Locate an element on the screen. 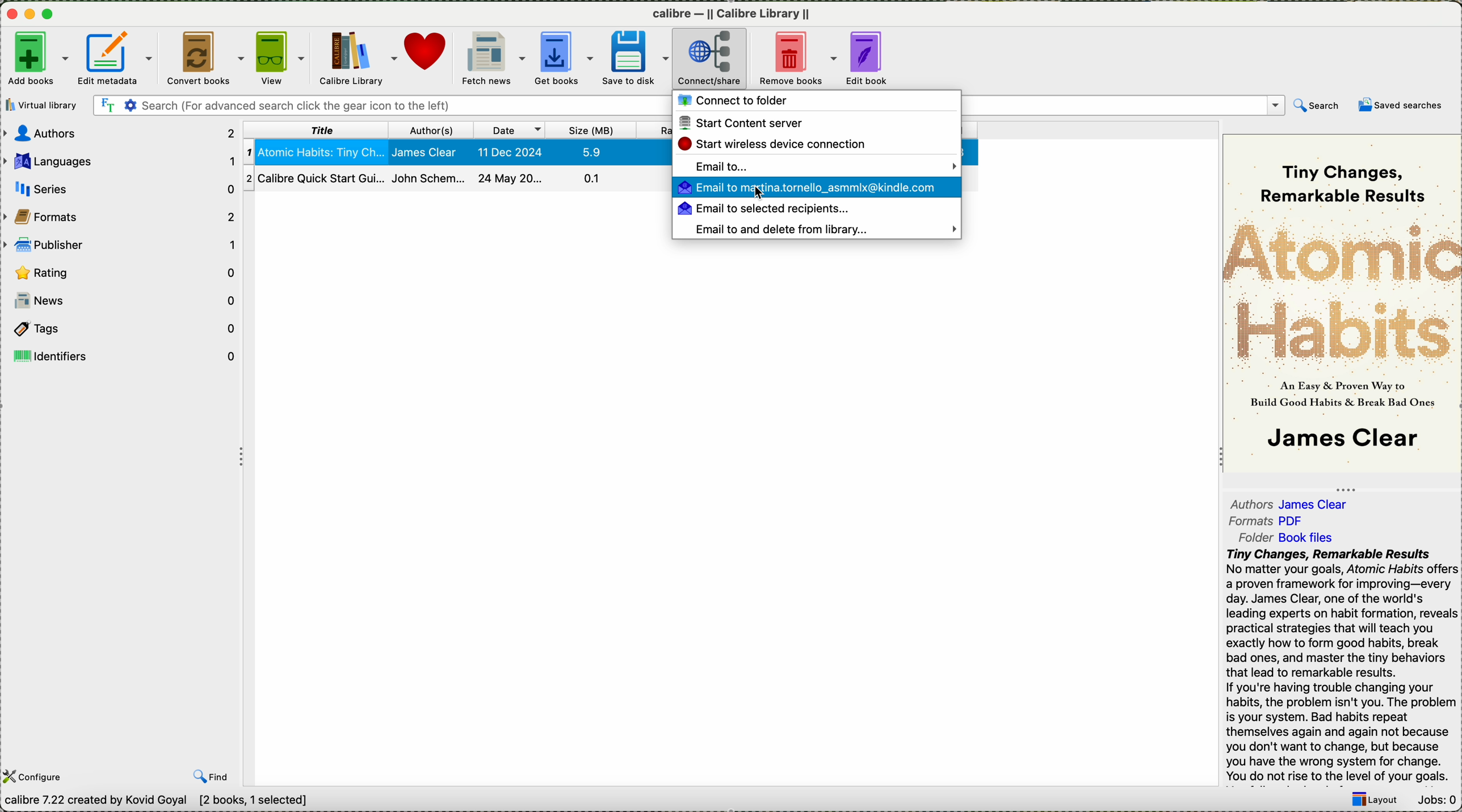 This screenshot has height=812, width=1462. data is located at coordinates (202, 802).